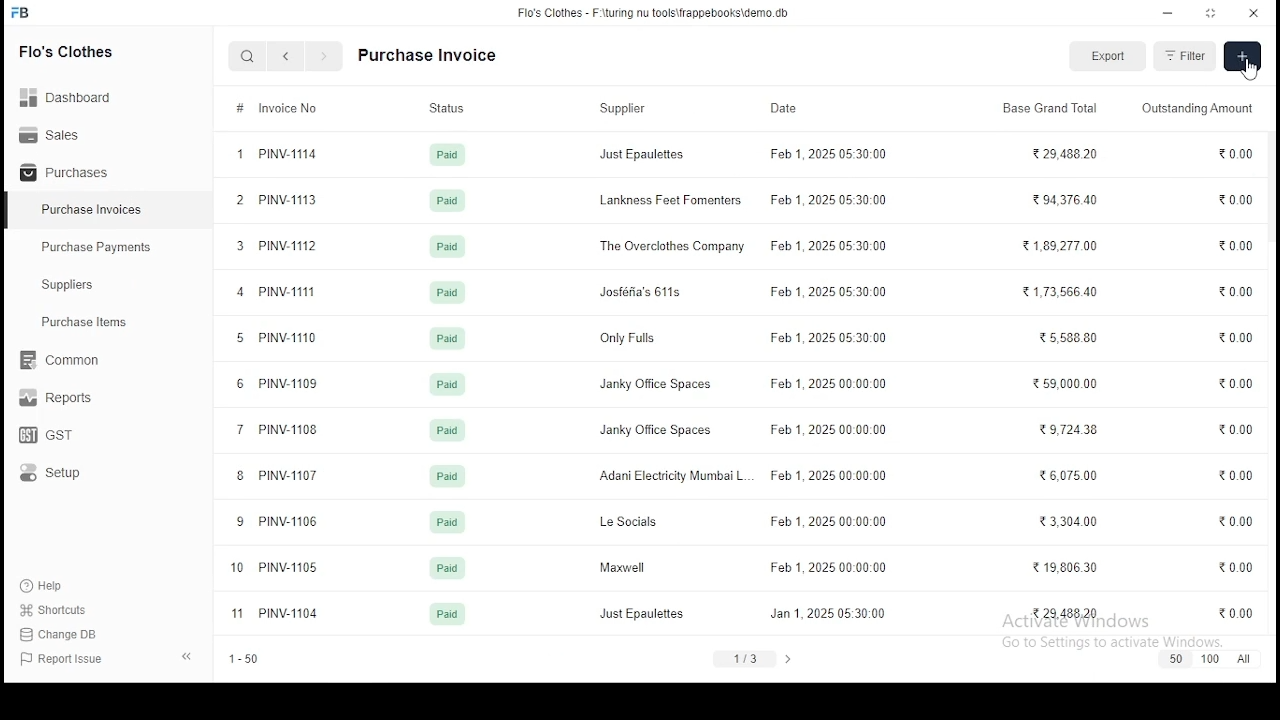  I want to click on 0.00, so click(1232, 383).